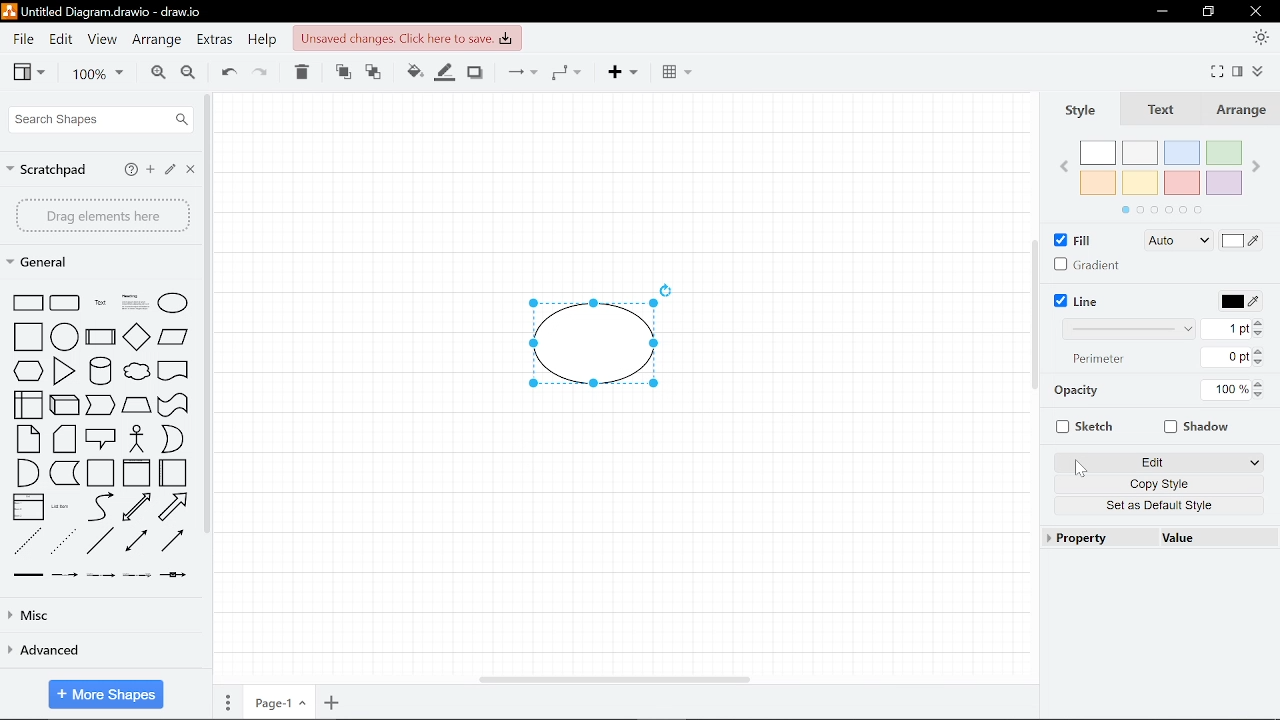 The width and height of the screenshot is (1280, 720). I want to click on and, so click(27, 474).